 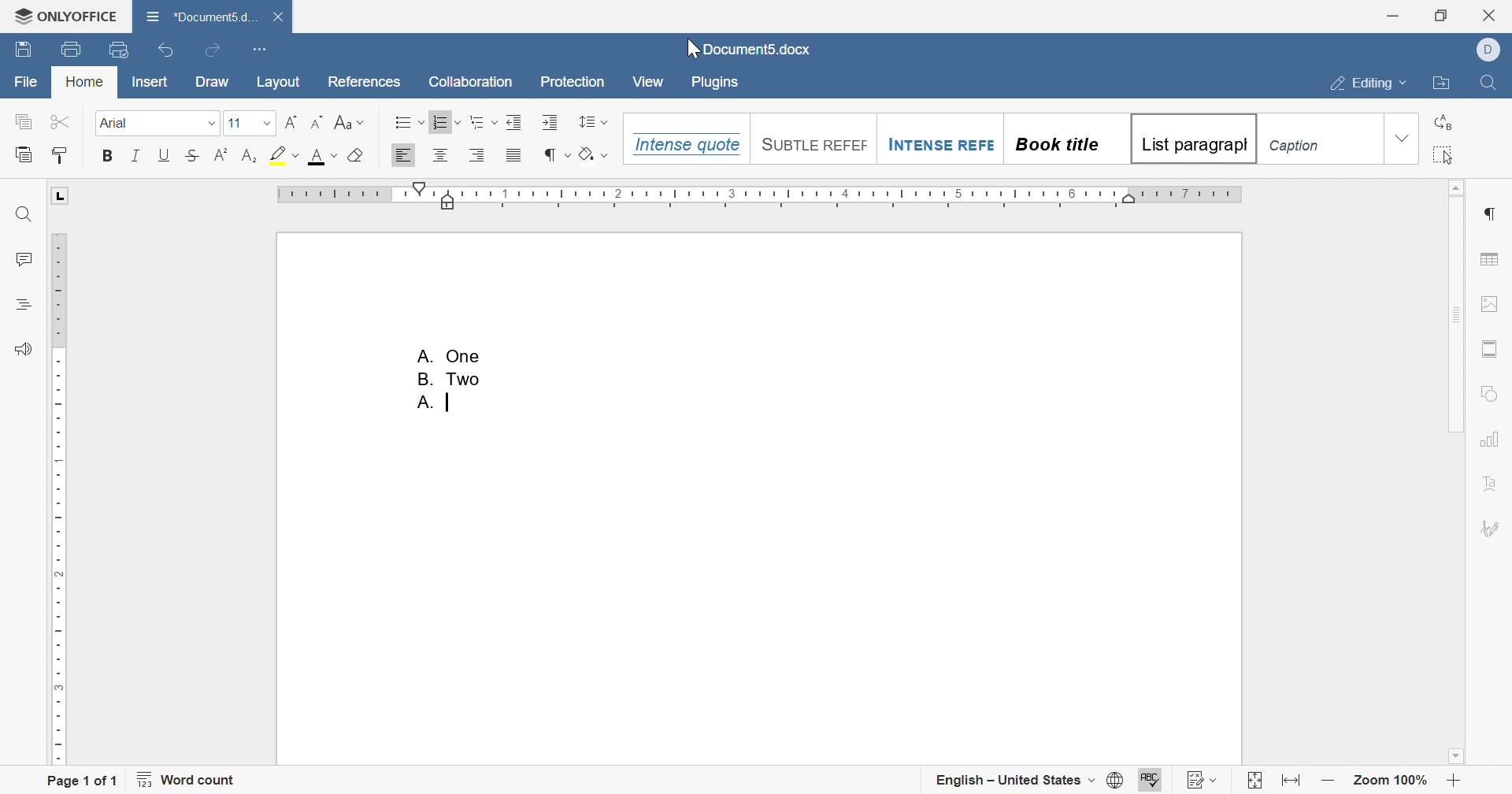 What do you see at coordinates (1488, 259) in the screenshot?
I see `table settings` at bounding box center [1488, 259].